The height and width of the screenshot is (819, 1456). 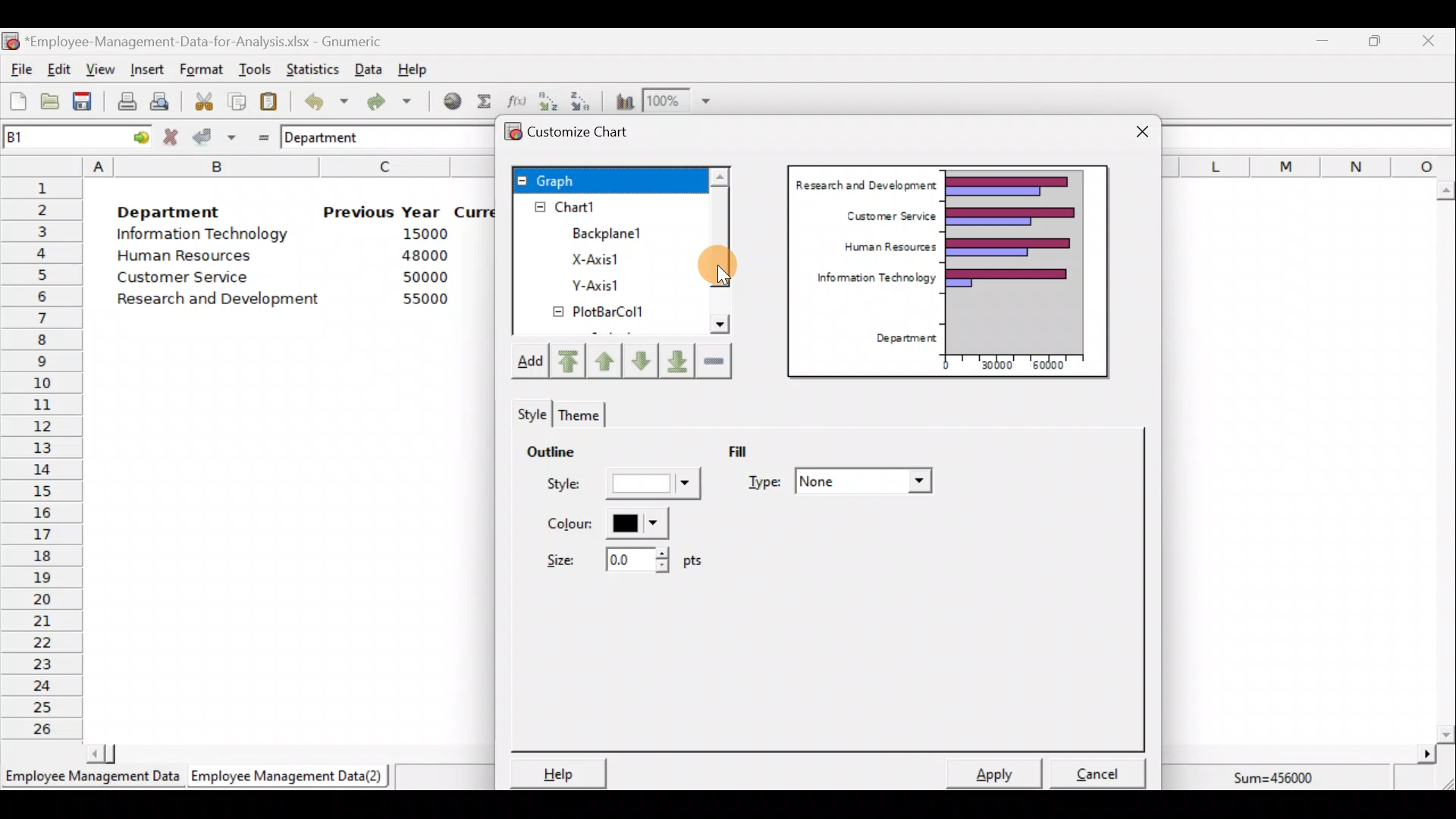 I want to click on Move downward, so click(x=678, y=359).